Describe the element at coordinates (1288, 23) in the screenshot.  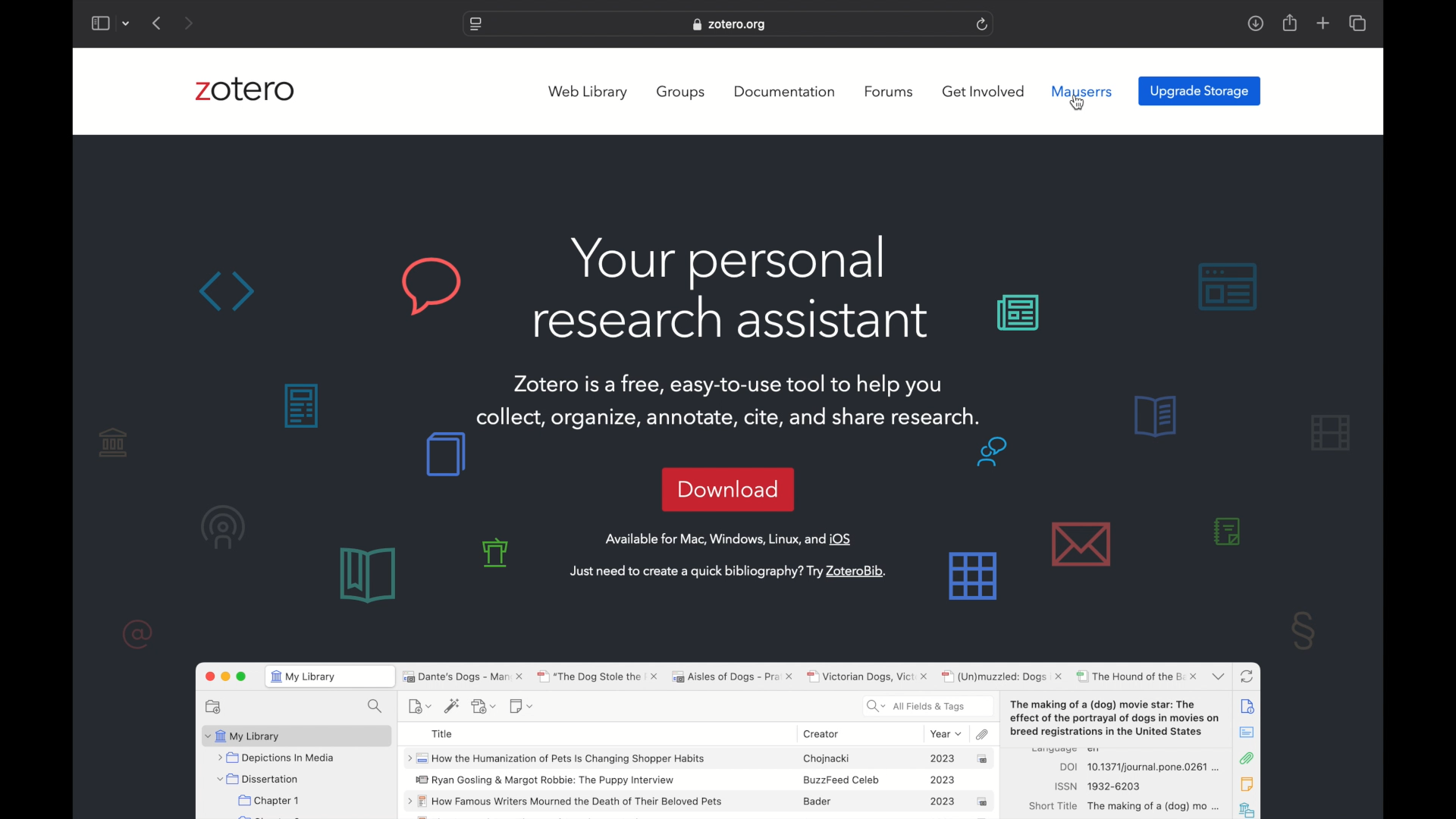
I see `share` at that location.